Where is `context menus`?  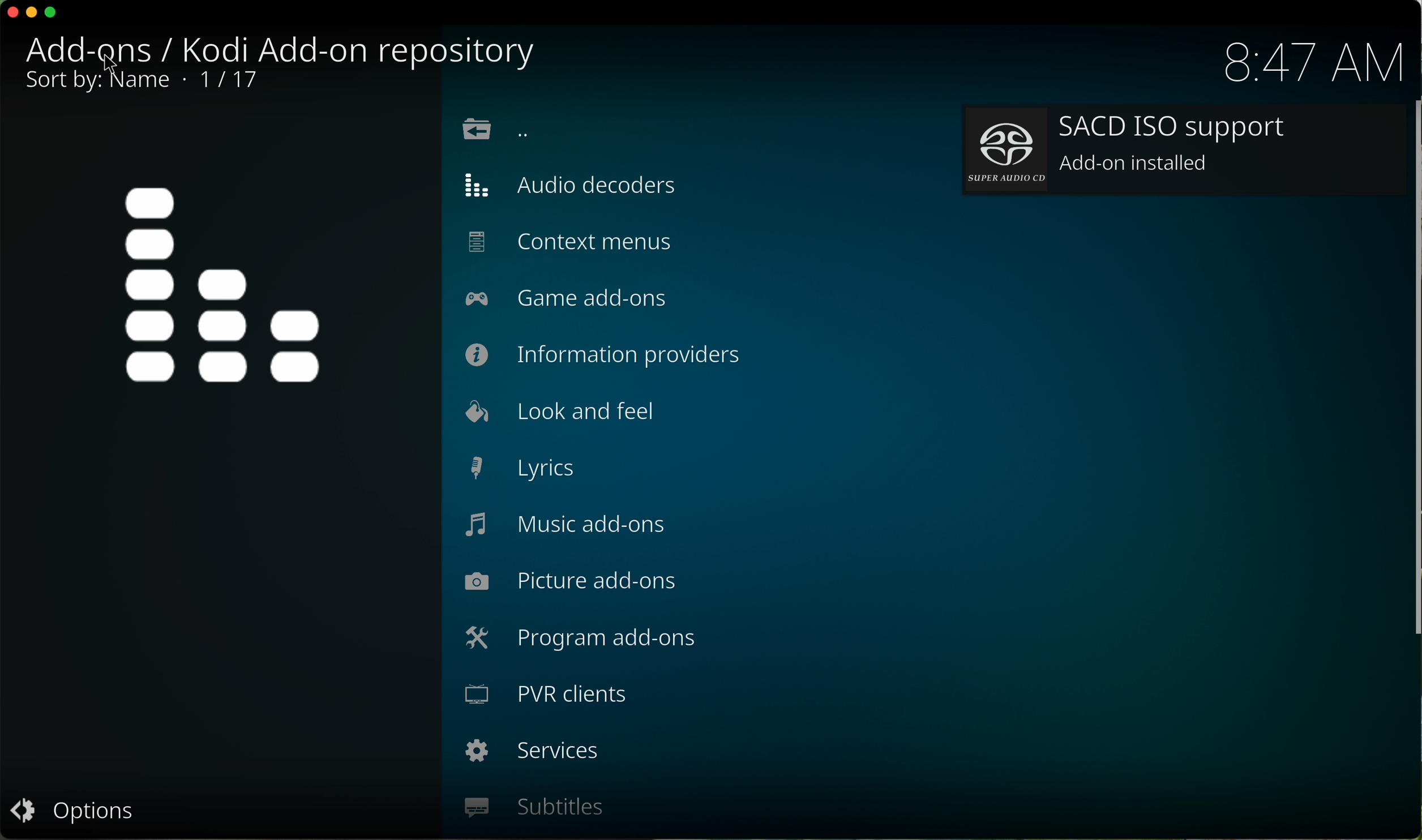
context menus is located at coordinates (571, 244).